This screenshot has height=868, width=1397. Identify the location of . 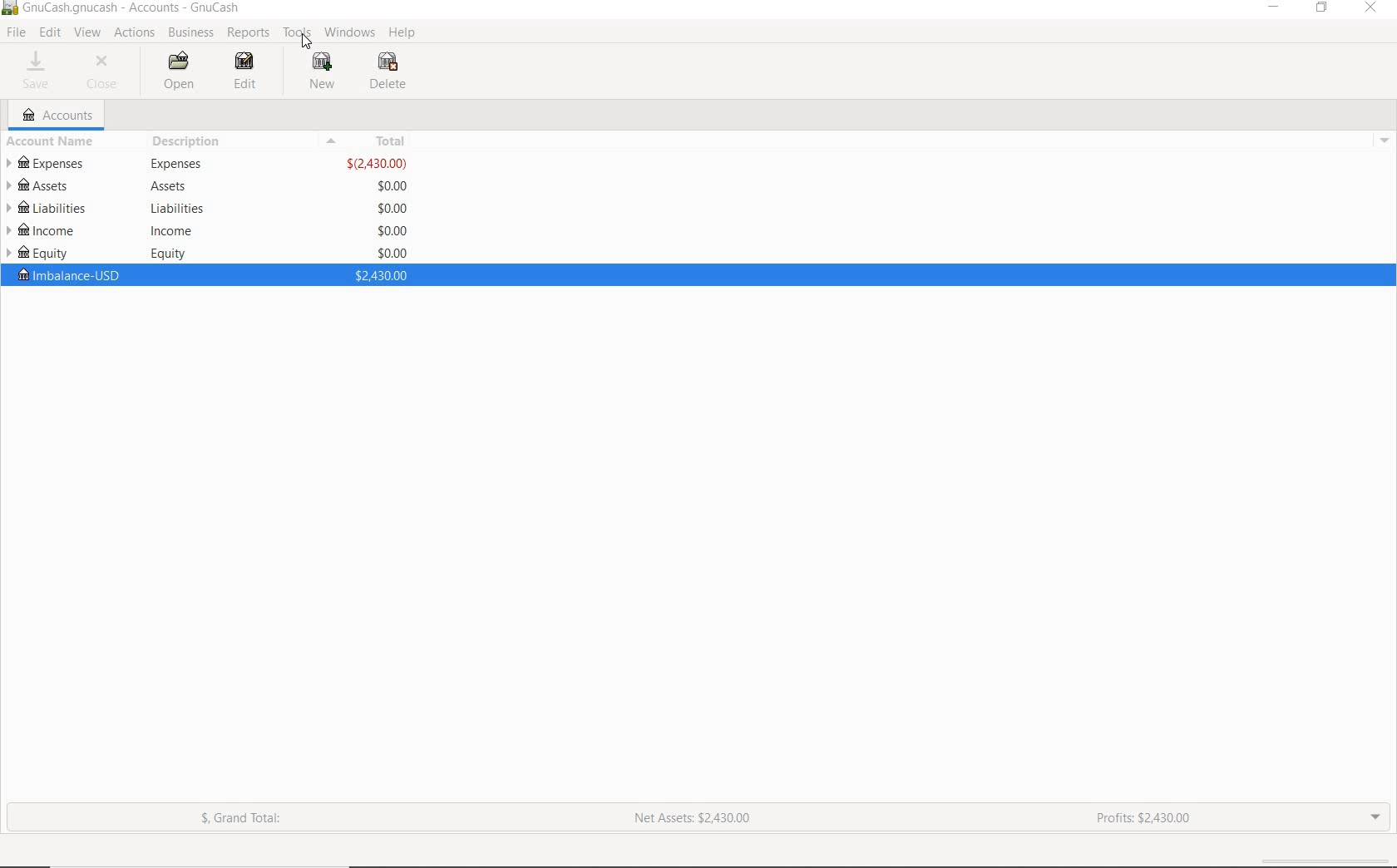
(176, 164).